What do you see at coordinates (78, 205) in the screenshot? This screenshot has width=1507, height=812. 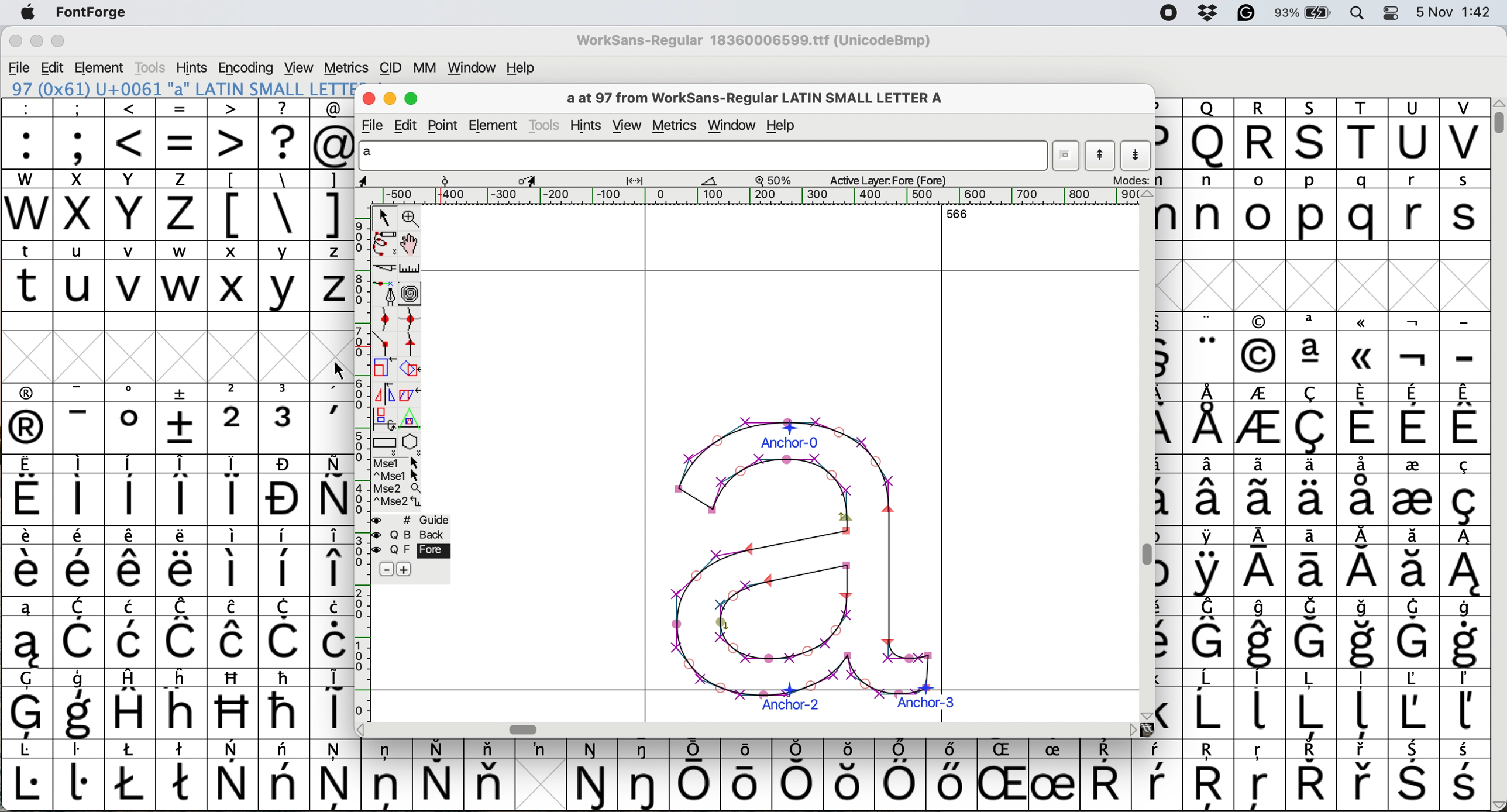 I see `x` at bounding box center [78, 205].